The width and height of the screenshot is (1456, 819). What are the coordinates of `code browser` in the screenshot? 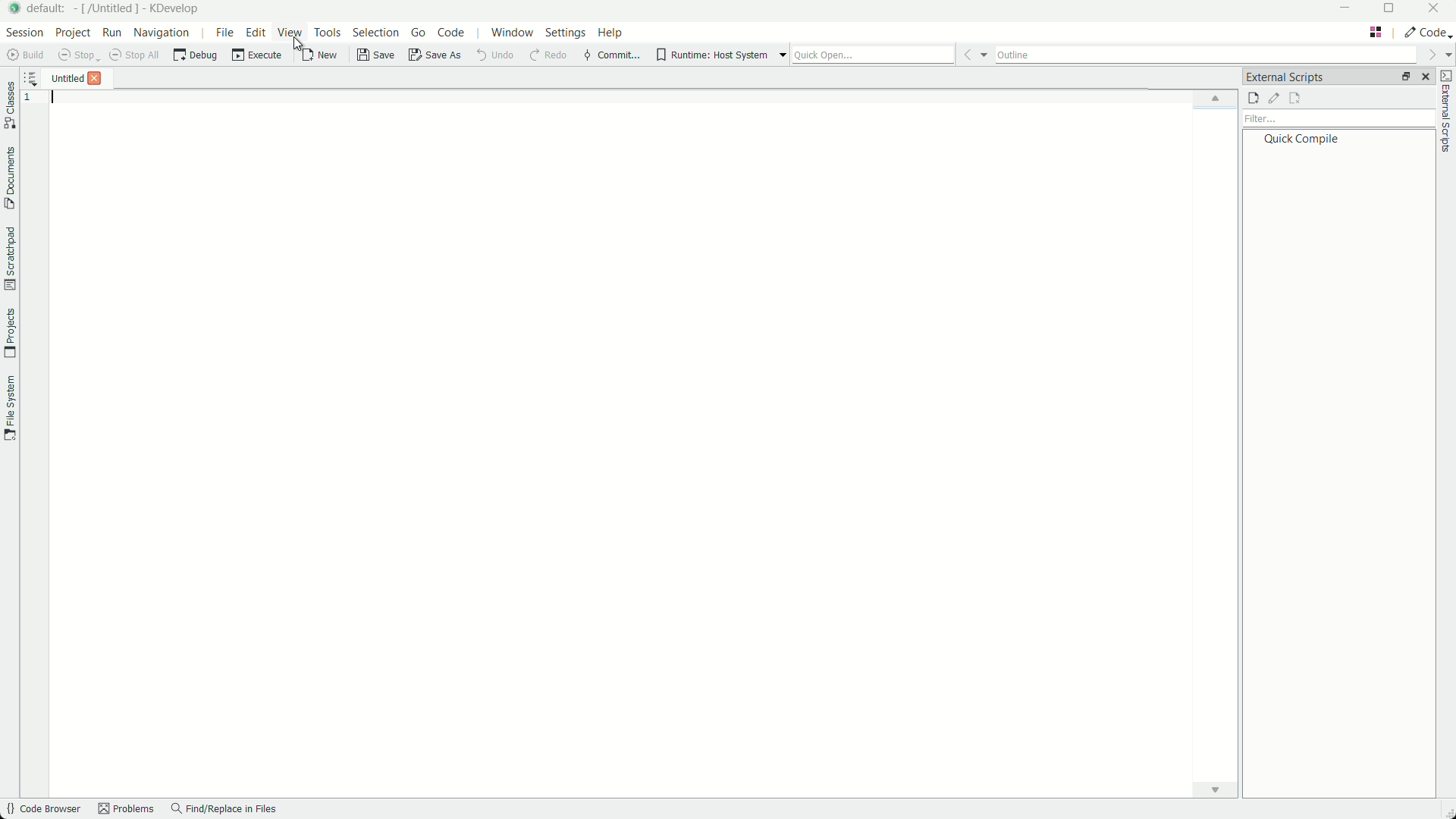 It's located at (43, 810).